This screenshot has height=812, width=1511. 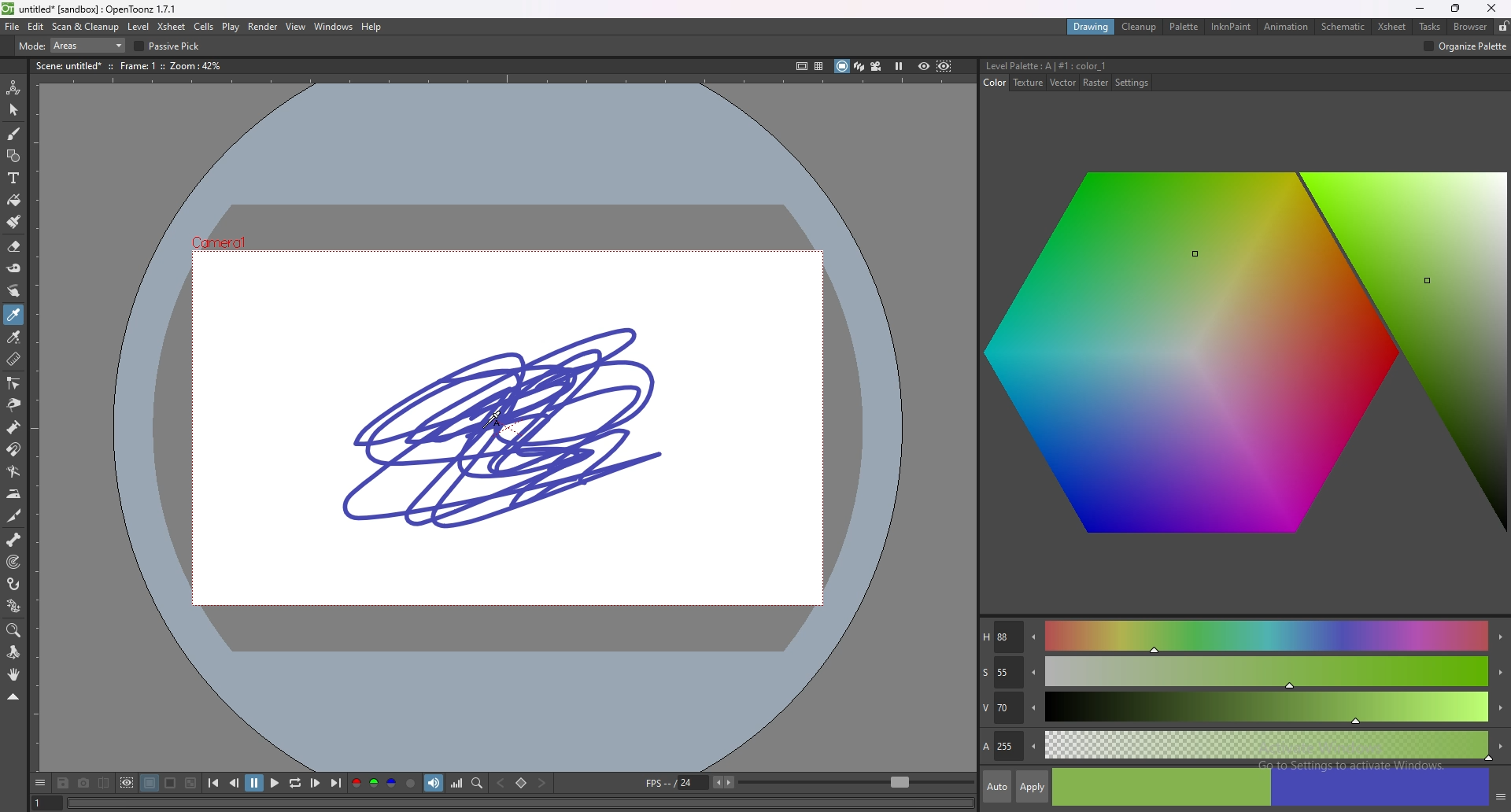 I want to click on edit, so click(x=36, y=28).